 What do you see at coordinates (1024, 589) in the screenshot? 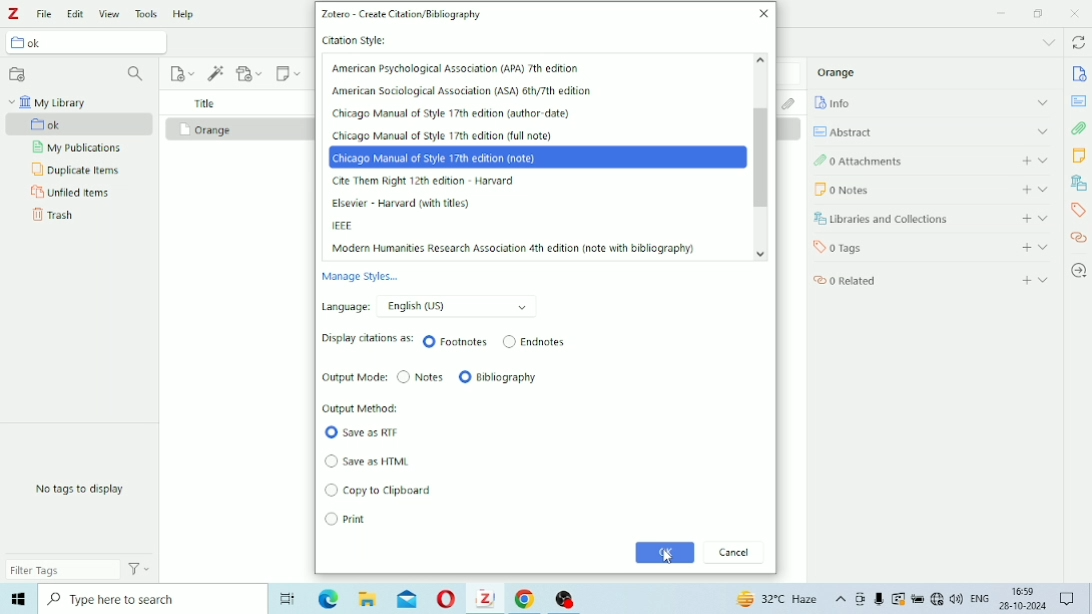
I see `16:59` at bounding box center [1024, 589].